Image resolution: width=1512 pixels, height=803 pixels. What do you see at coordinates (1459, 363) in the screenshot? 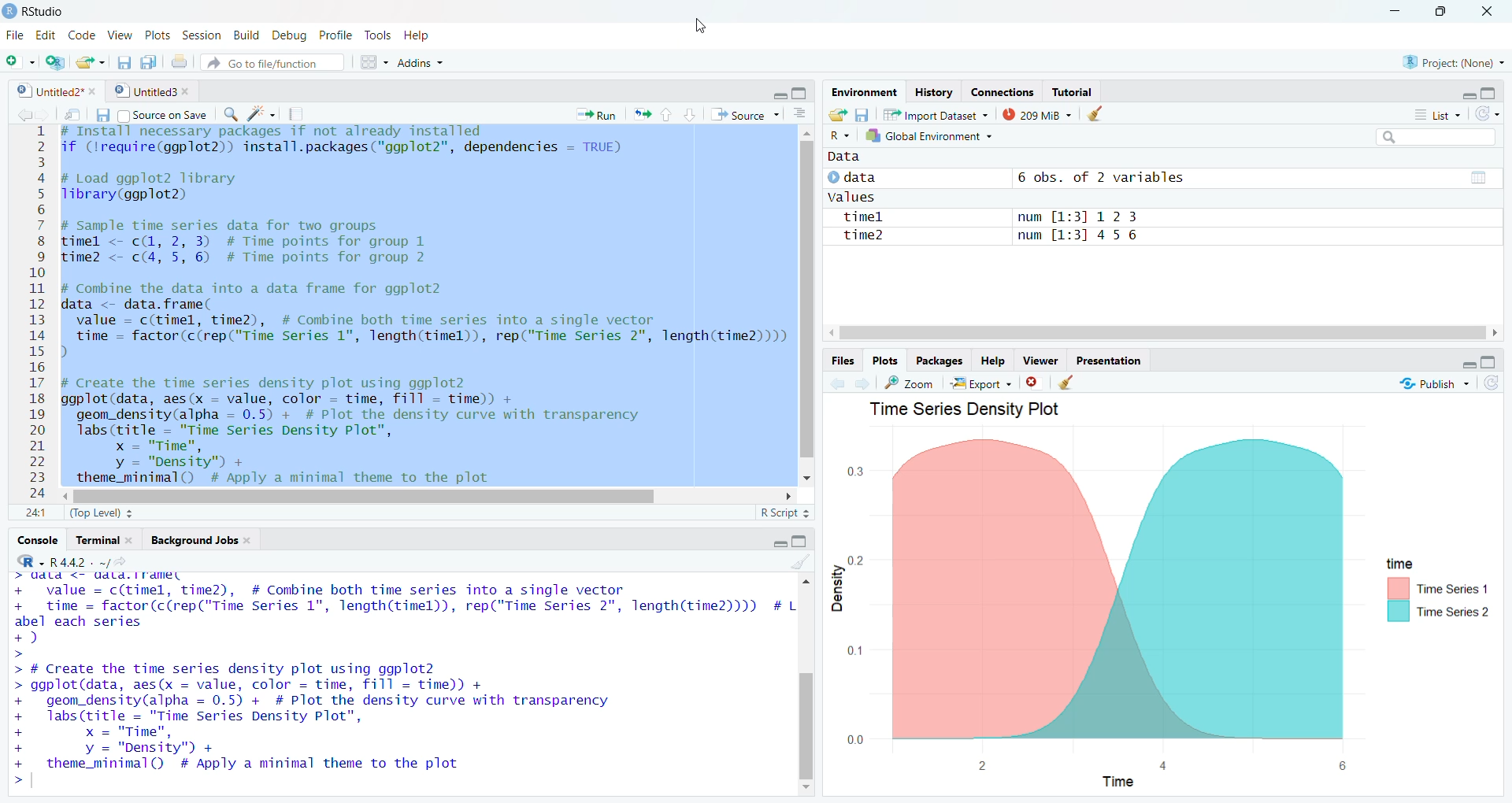
I see `Minimize` at bounding box center [1459, 363].